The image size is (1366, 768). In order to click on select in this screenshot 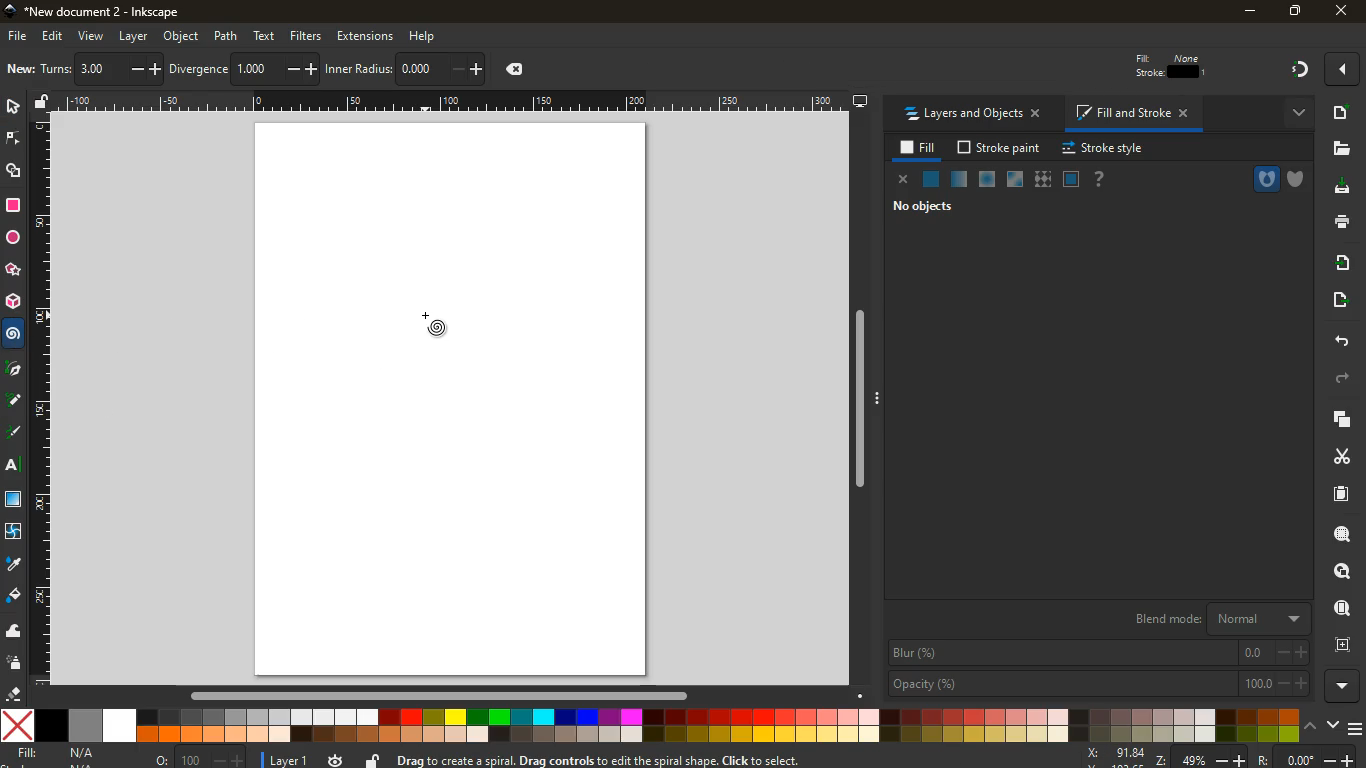, I will do `click(146, 71)`.